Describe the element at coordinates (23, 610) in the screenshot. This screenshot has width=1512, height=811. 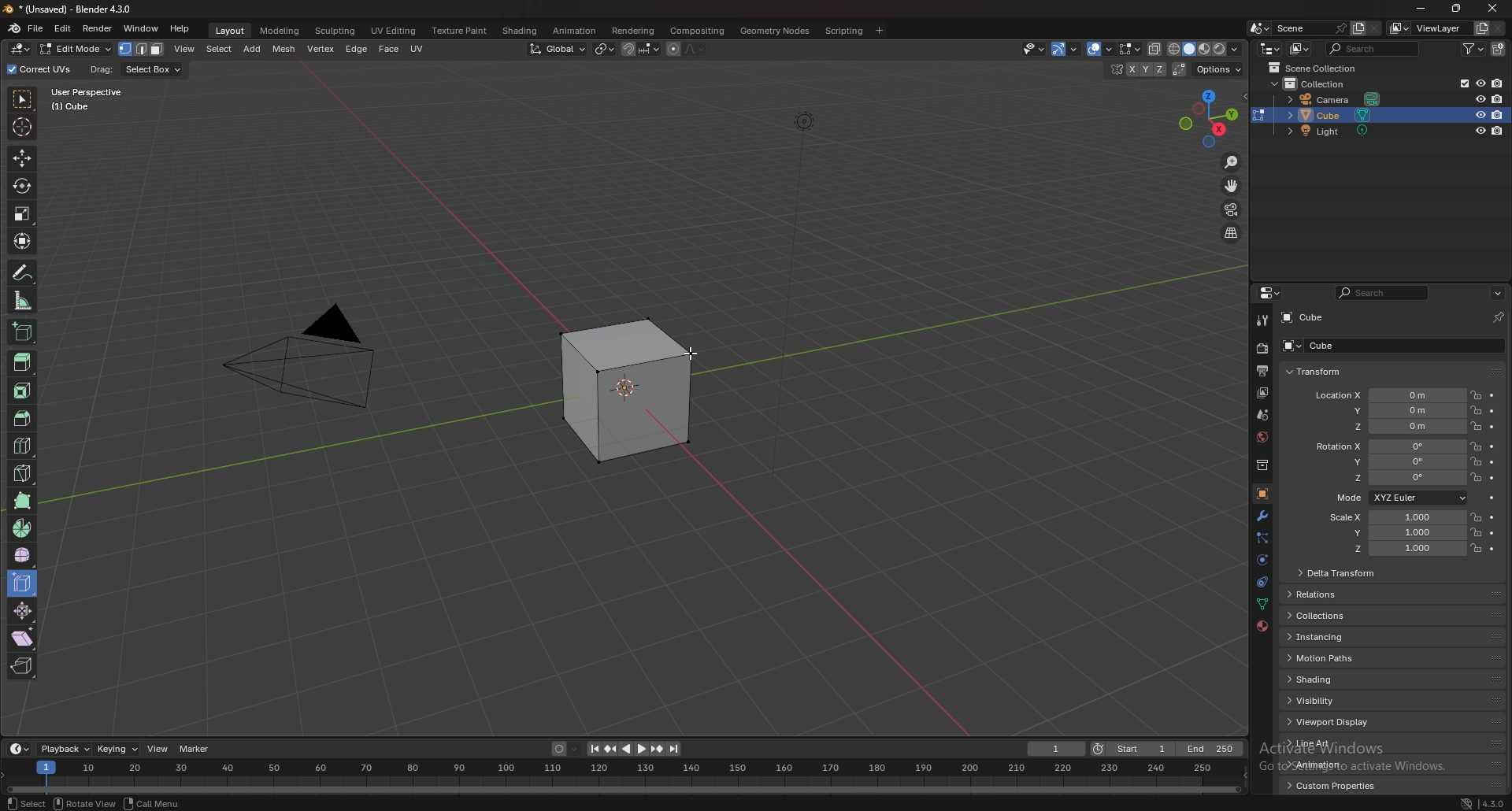
I see `shrink` at that location.